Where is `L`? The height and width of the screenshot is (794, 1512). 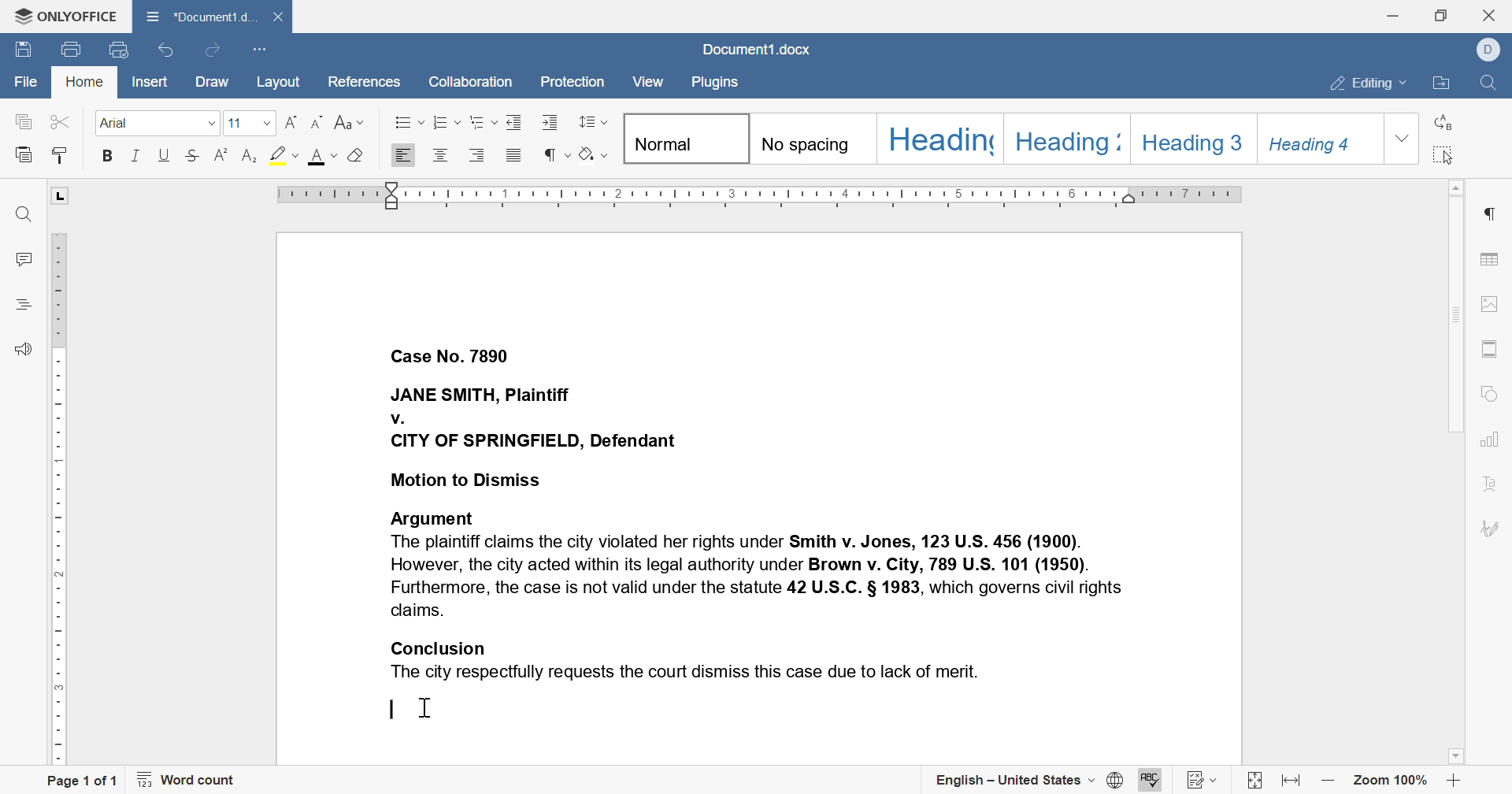 L is located at coordinates (61, 195).